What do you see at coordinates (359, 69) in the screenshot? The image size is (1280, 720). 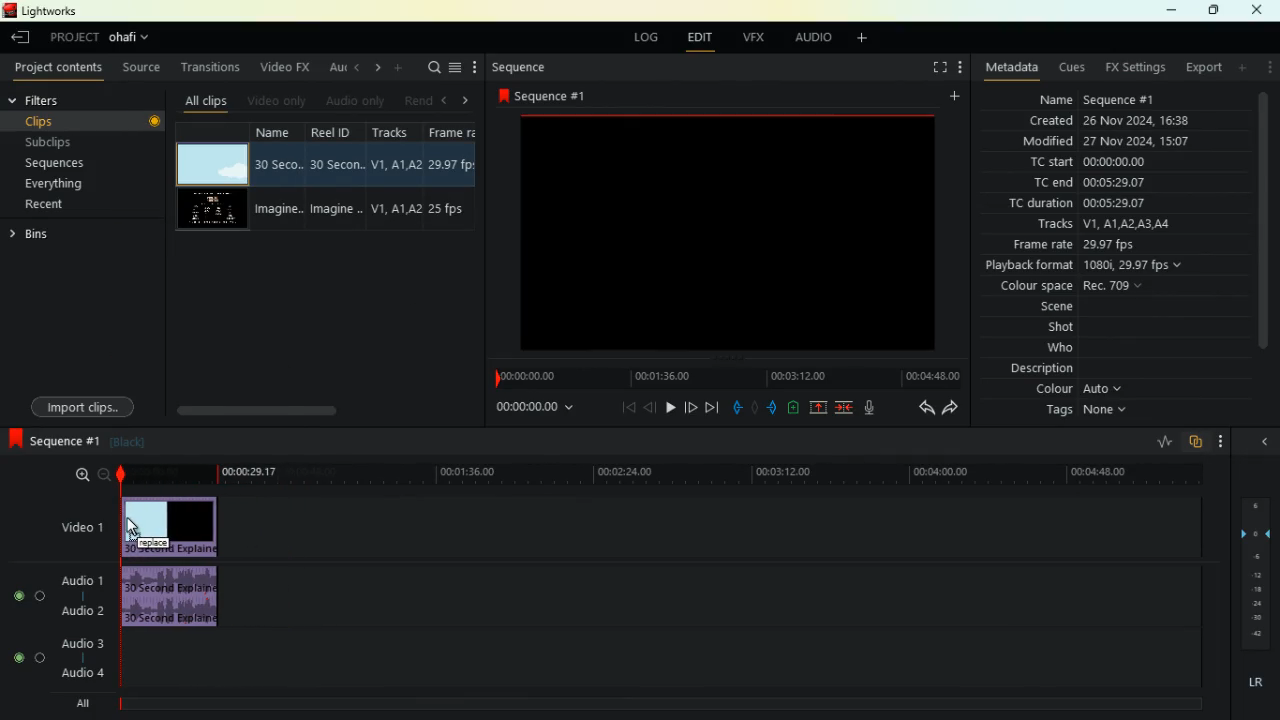 I see `left` at bounding box center [359, 69].